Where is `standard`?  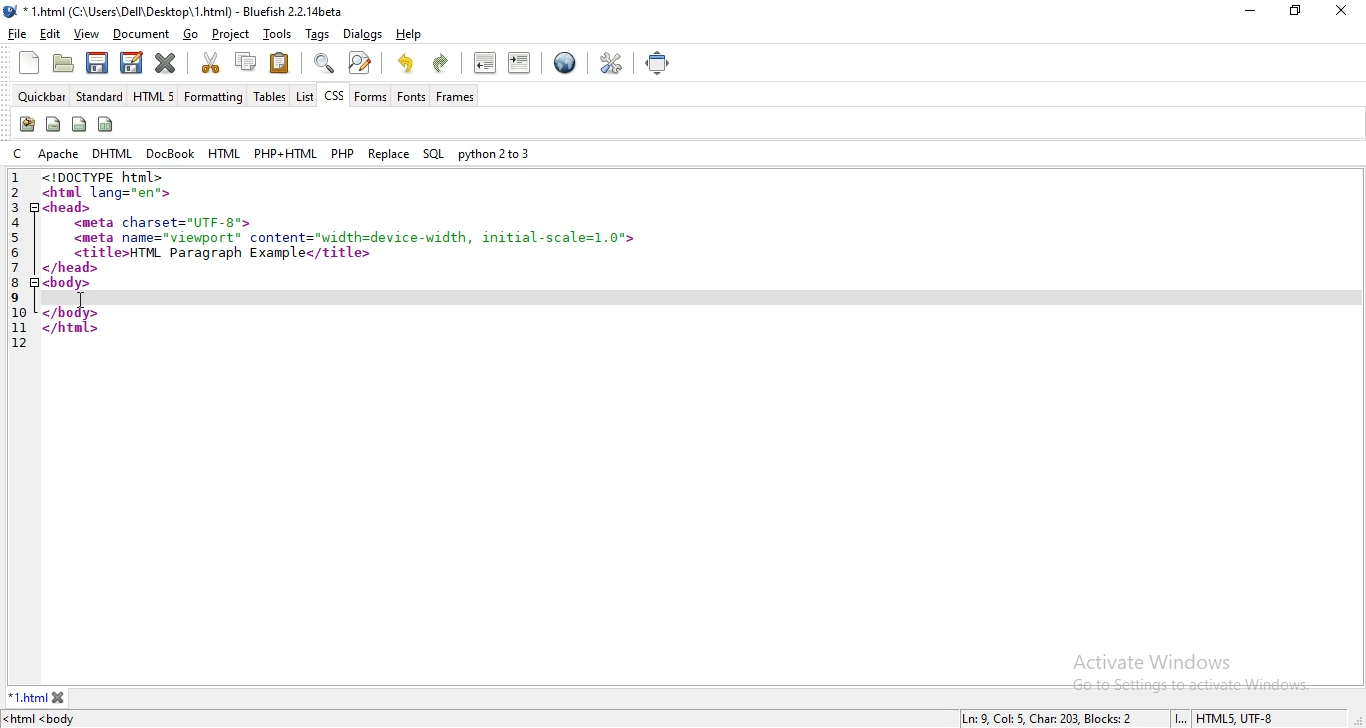 standard is located at coordinates (98, 94).